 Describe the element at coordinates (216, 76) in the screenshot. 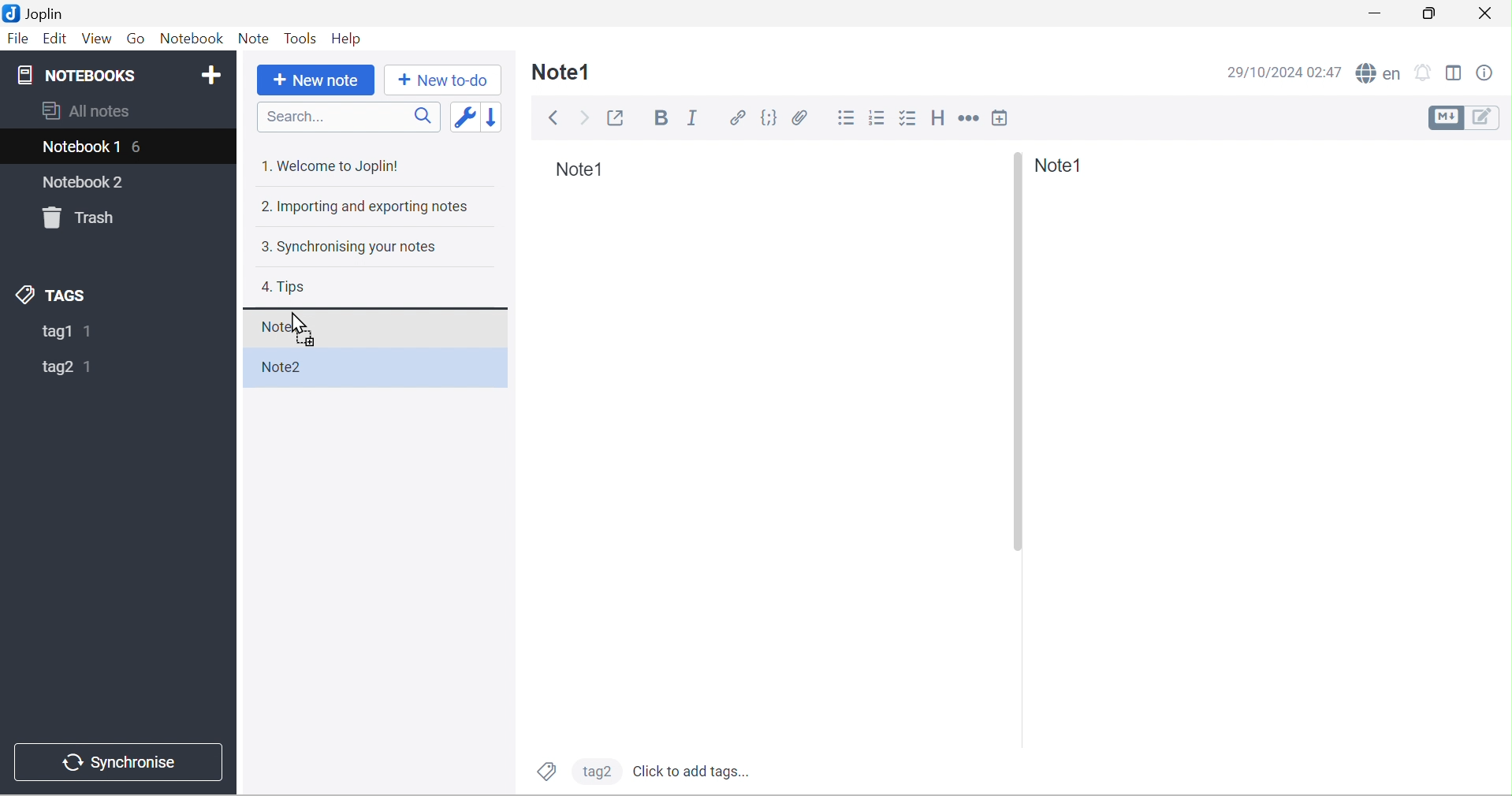

I see `Add Notebook` at that location.